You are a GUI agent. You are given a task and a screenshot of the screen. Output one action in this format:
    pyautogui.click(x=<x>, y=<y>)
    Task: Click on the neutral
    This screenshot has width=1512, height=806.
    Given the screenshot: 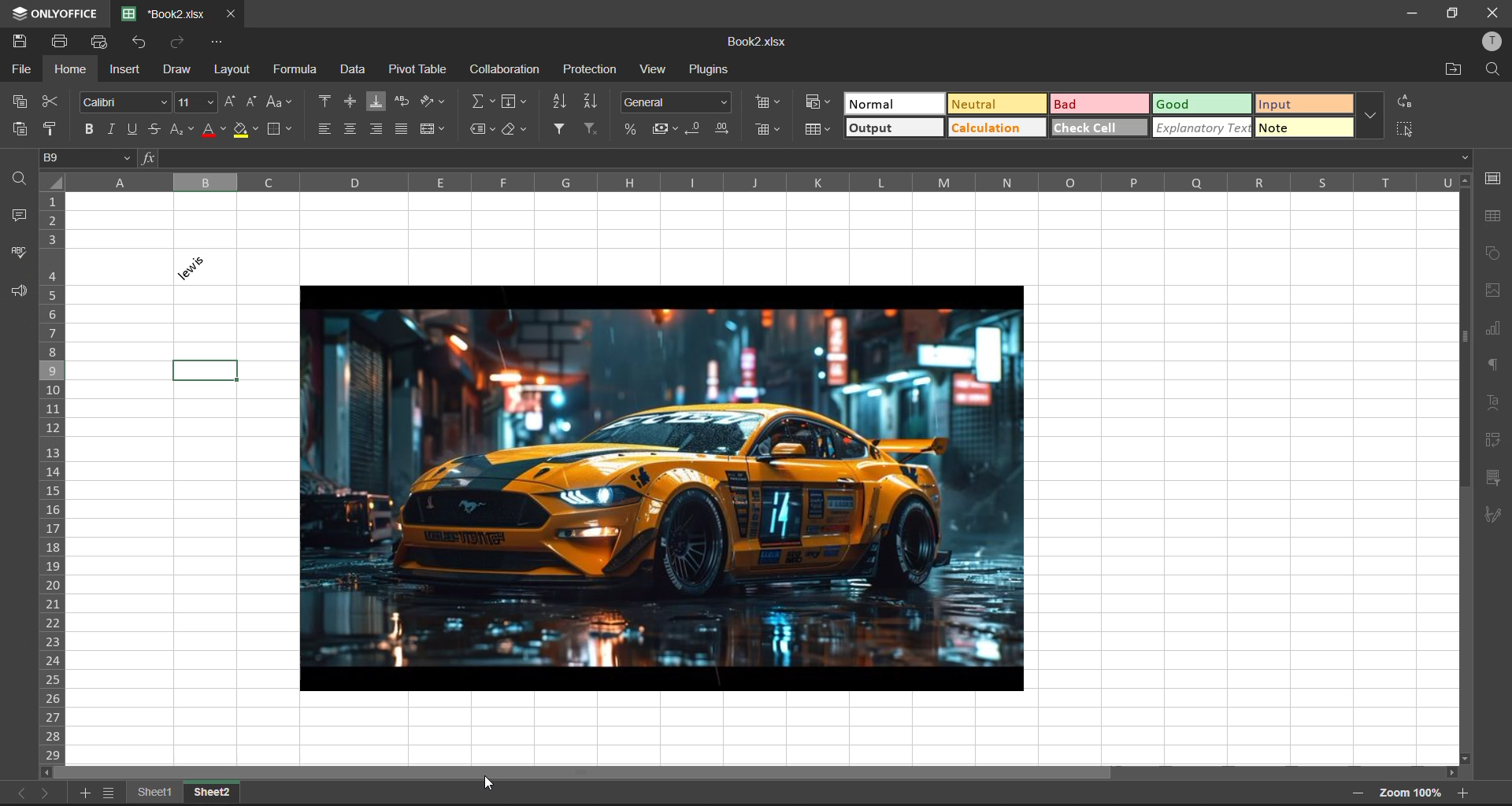 What is the action you would take?
    pyautogui.click(x=991, y=105)
    